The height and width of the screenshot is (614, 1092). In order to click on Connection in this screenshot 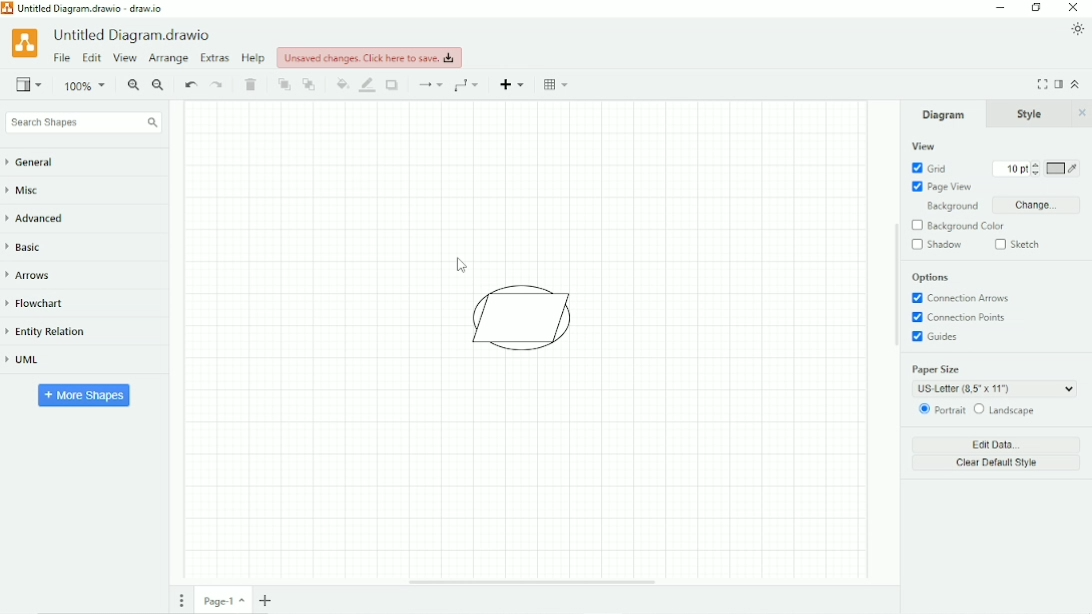, I will do `click(429, 85)`.